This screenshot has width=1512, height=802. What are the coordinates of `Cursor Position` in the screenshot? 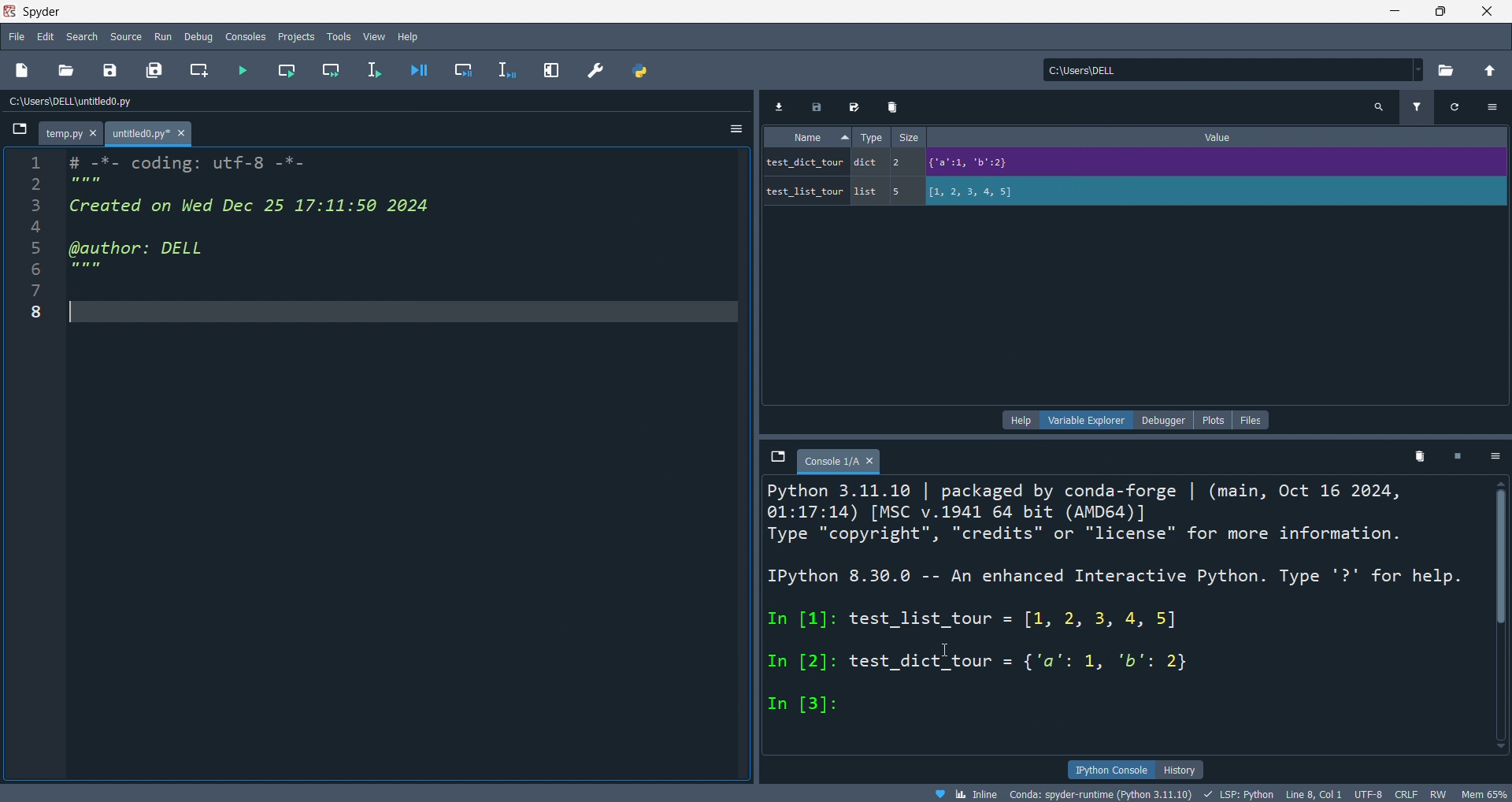 It's located at (946, 648).